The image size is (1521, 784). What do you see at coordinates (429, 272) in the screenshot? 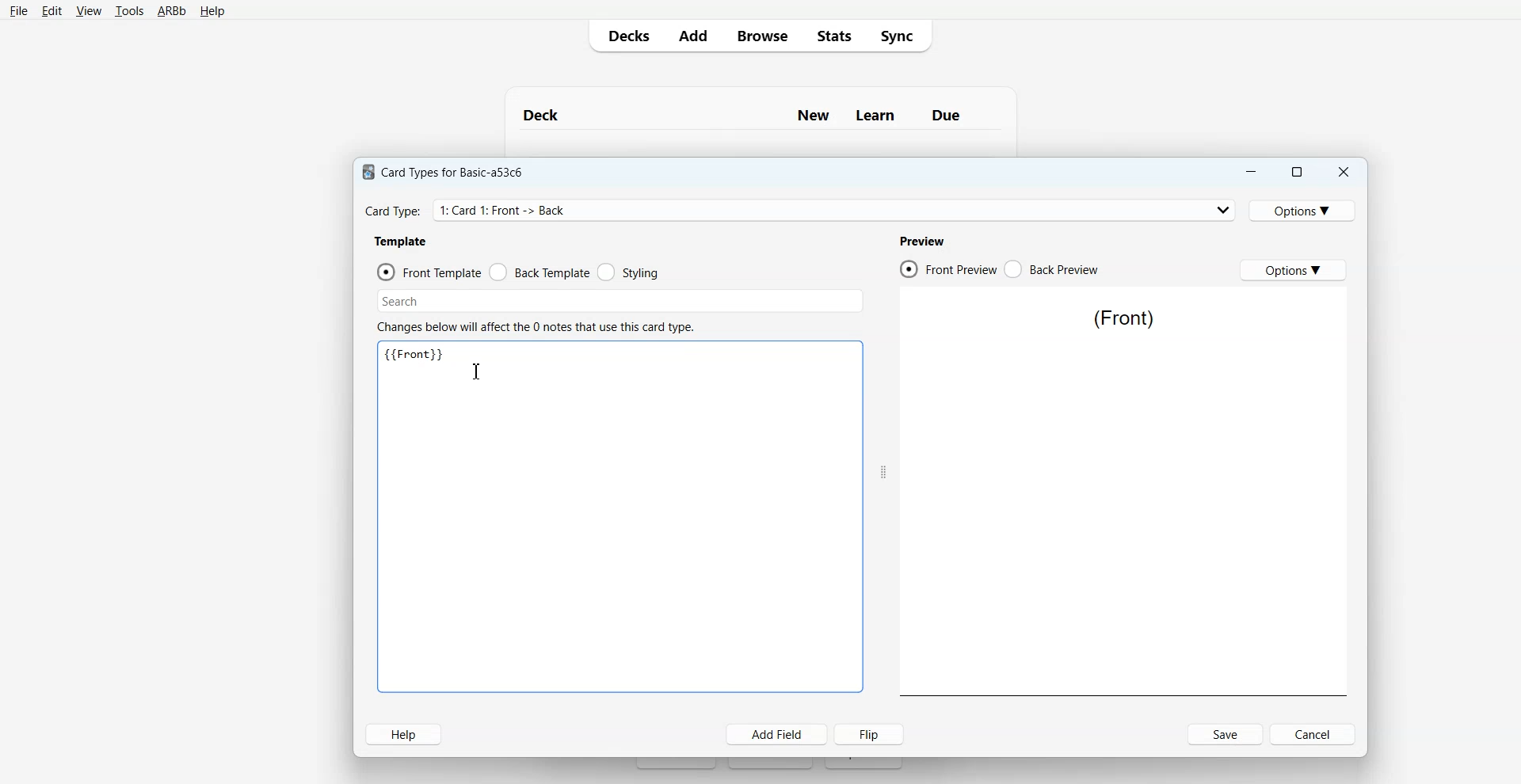
I see `Front Template` at bounding box center [429, 272].